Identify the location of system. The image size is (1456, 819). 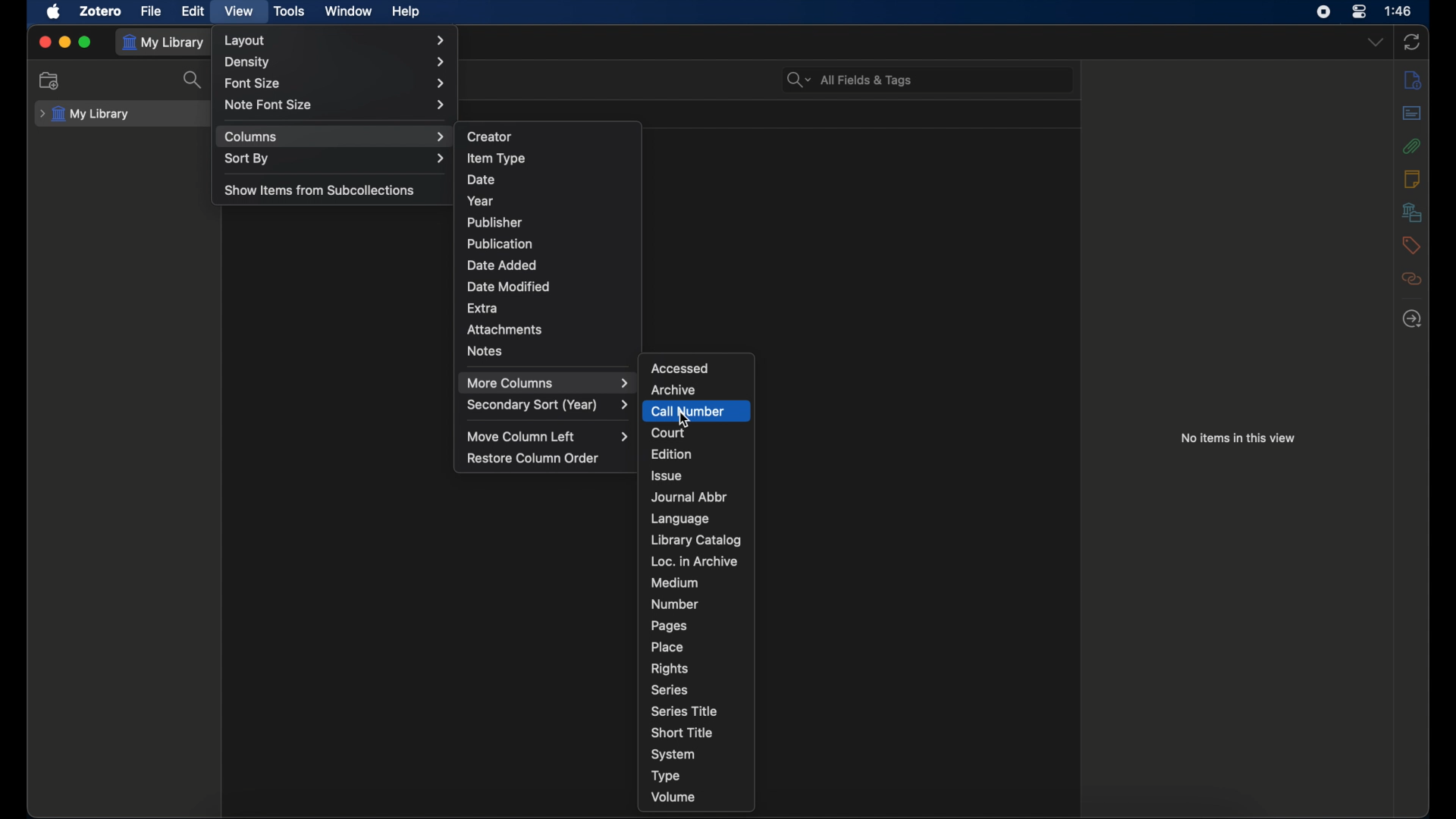
(673, 755).